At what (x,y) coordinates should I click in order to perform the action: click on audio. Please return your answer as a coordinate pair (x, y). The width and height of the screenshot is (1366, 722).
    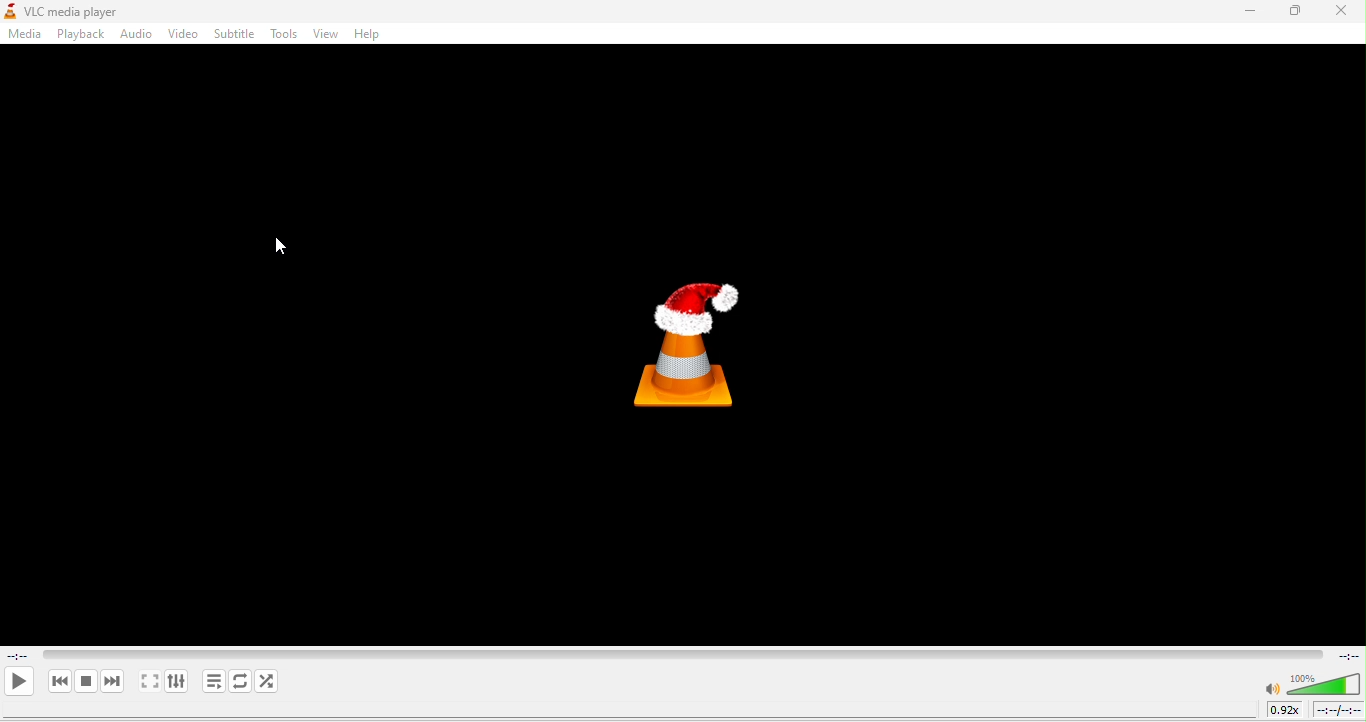
    Looking at the image, I should click on (136, 34).